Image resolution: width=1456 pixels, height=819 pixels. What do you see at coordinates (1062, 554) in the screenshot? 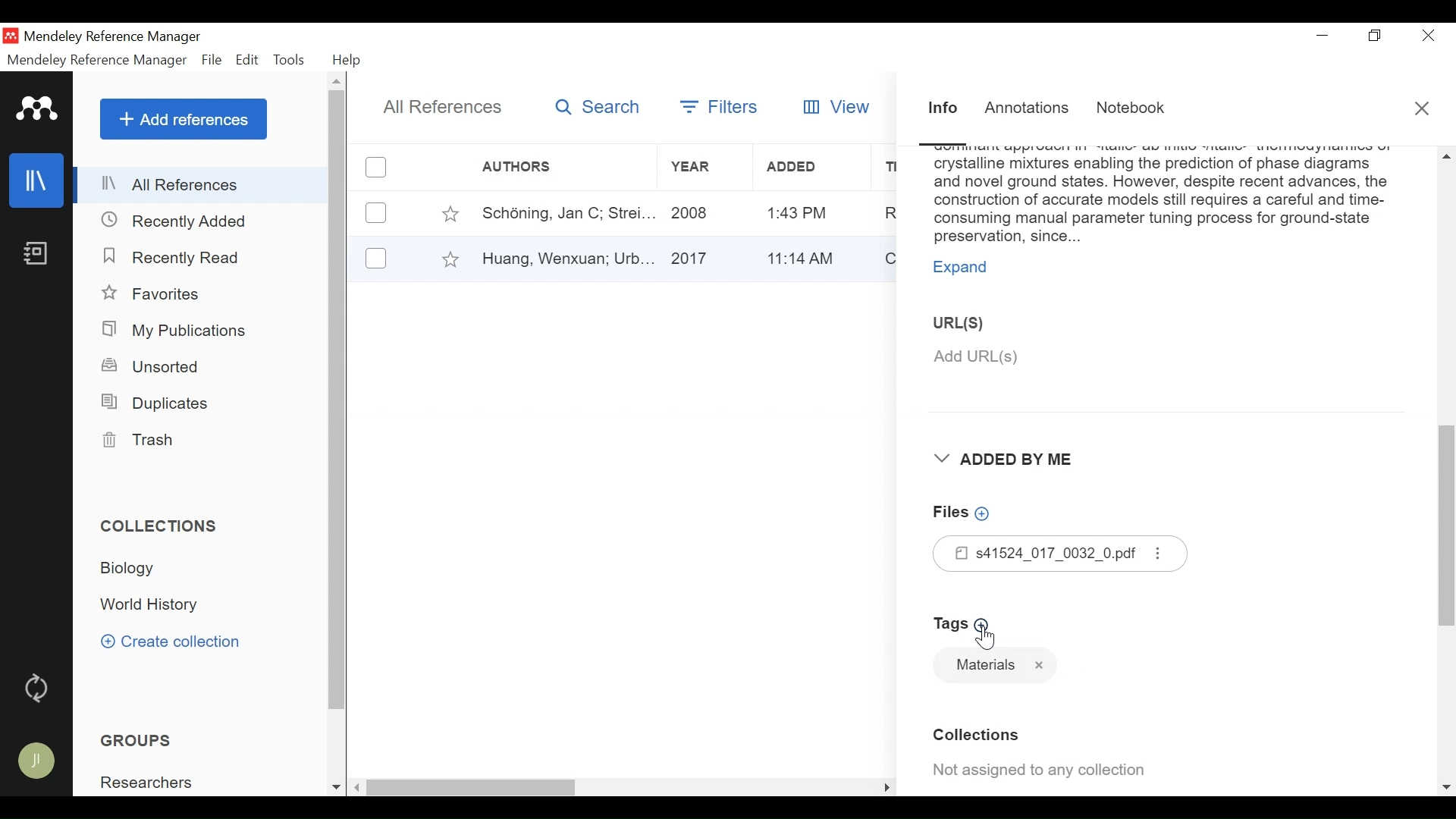
I see `Files` at bounding box center [1062, 554].